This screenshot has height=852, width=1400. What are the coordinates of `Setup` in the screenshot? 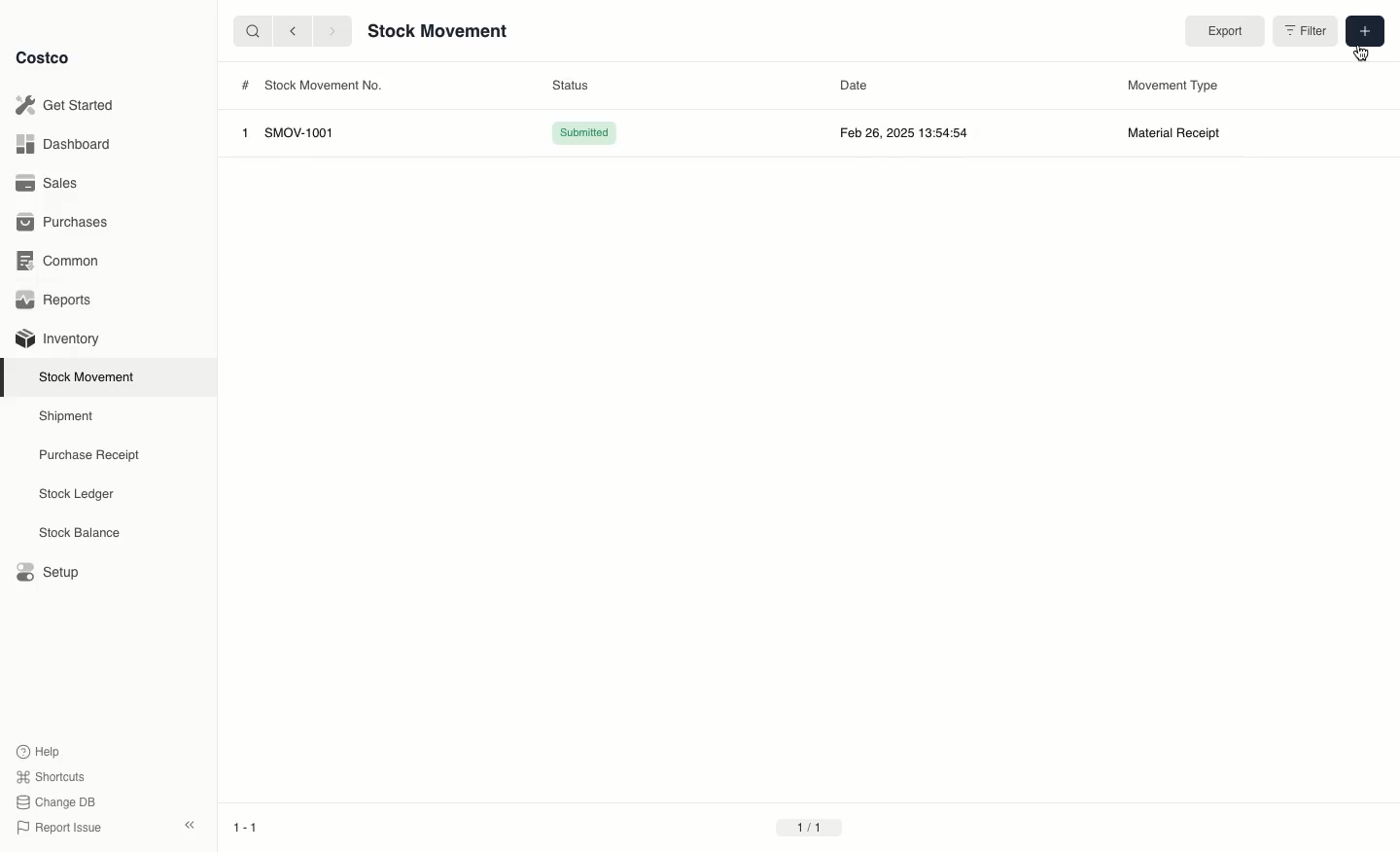 It's located at (46, 570).